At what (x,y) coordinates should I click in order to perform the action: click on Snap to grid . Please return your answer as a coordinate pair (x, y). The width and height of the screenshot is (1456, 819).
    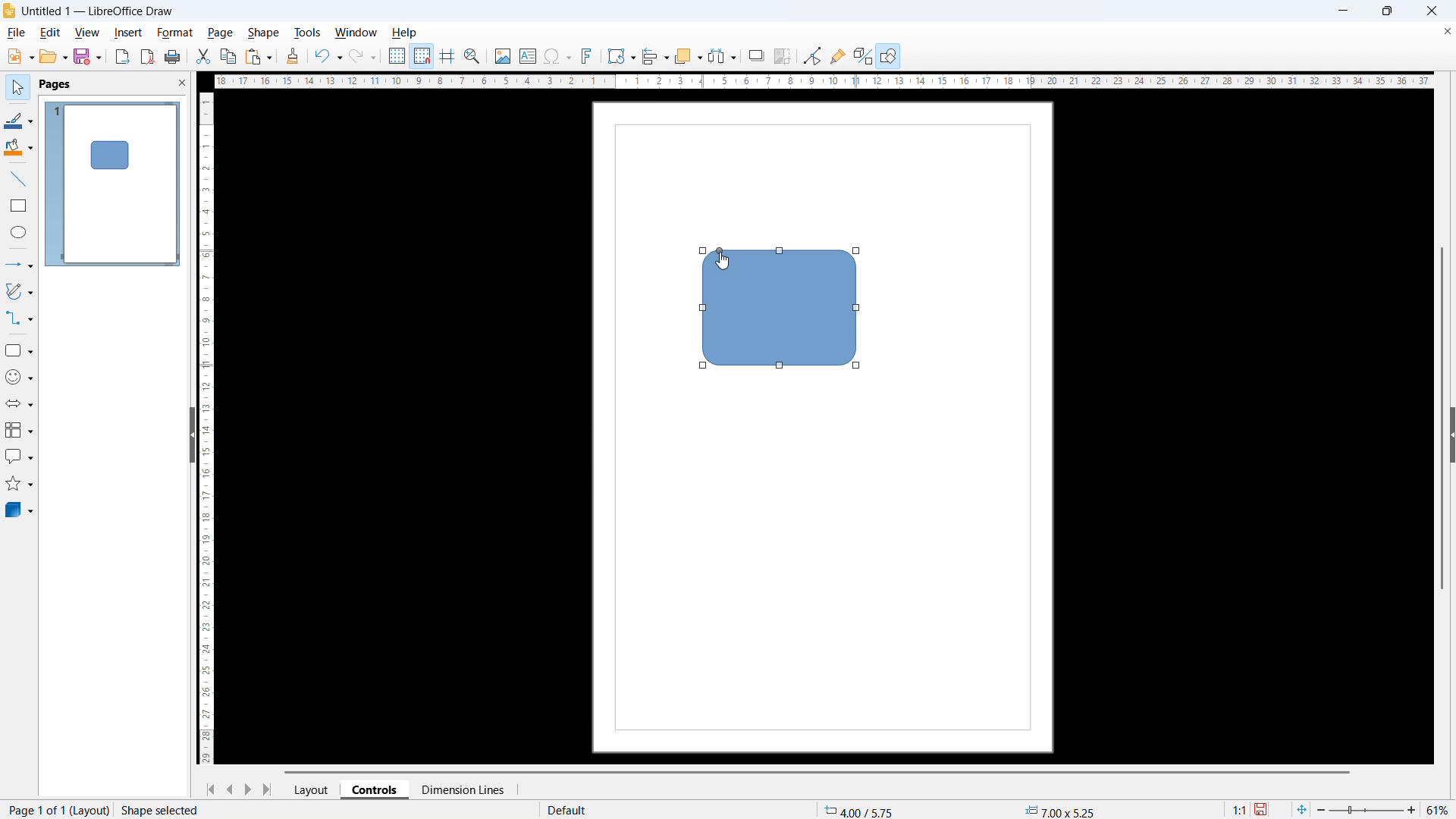
    Looking at the image, I should click on (422, 57).